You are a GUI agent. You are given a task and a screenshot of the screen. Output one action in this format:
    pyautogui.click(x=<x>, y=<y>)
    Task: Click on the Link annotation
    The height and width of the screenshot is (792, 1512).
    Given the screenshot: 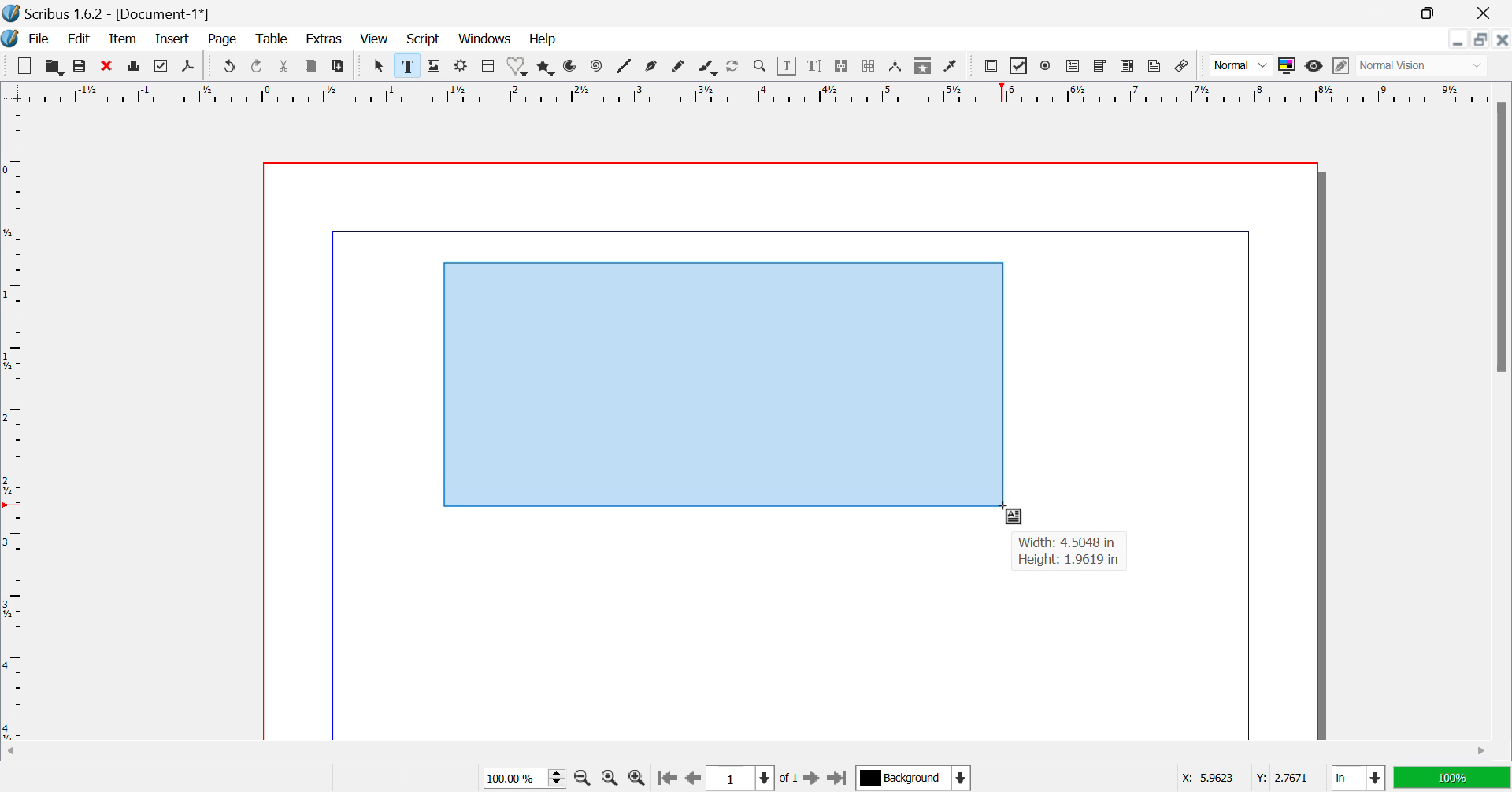 What is the action you would take?
    pyautogui.click(x=1185, y=67)
    